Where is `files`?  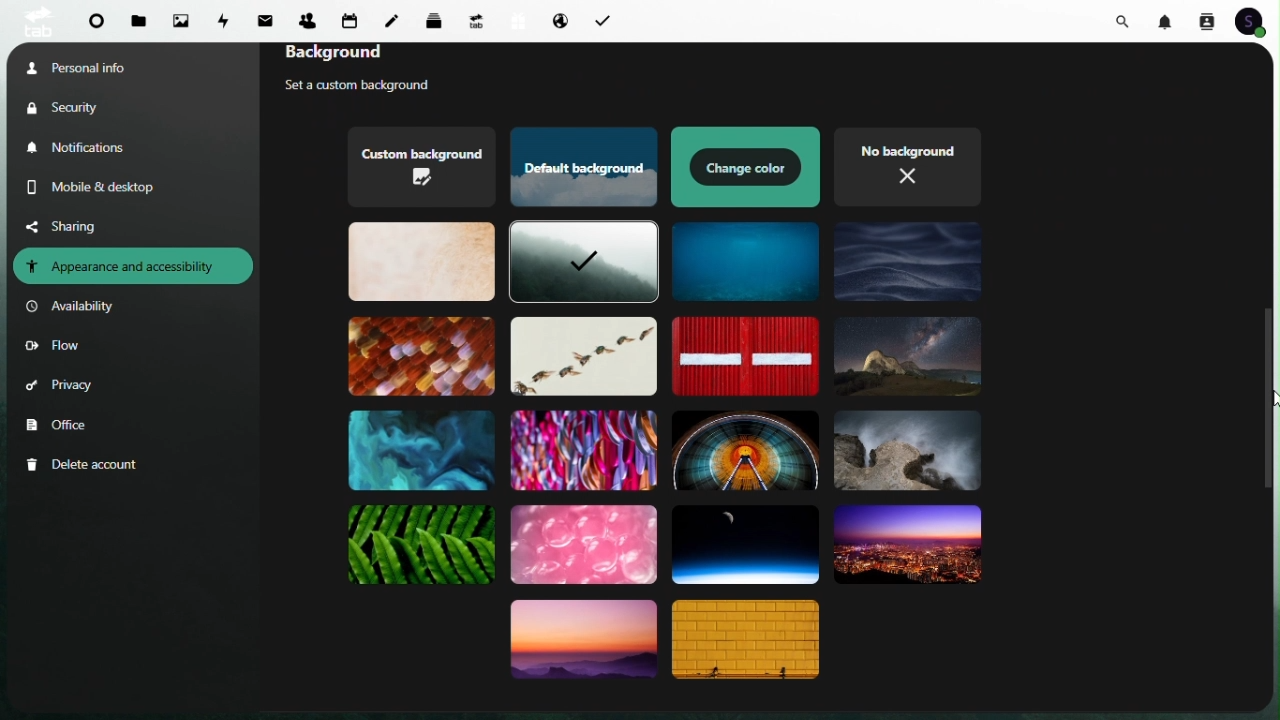
files is located at coordinates (140, 22).